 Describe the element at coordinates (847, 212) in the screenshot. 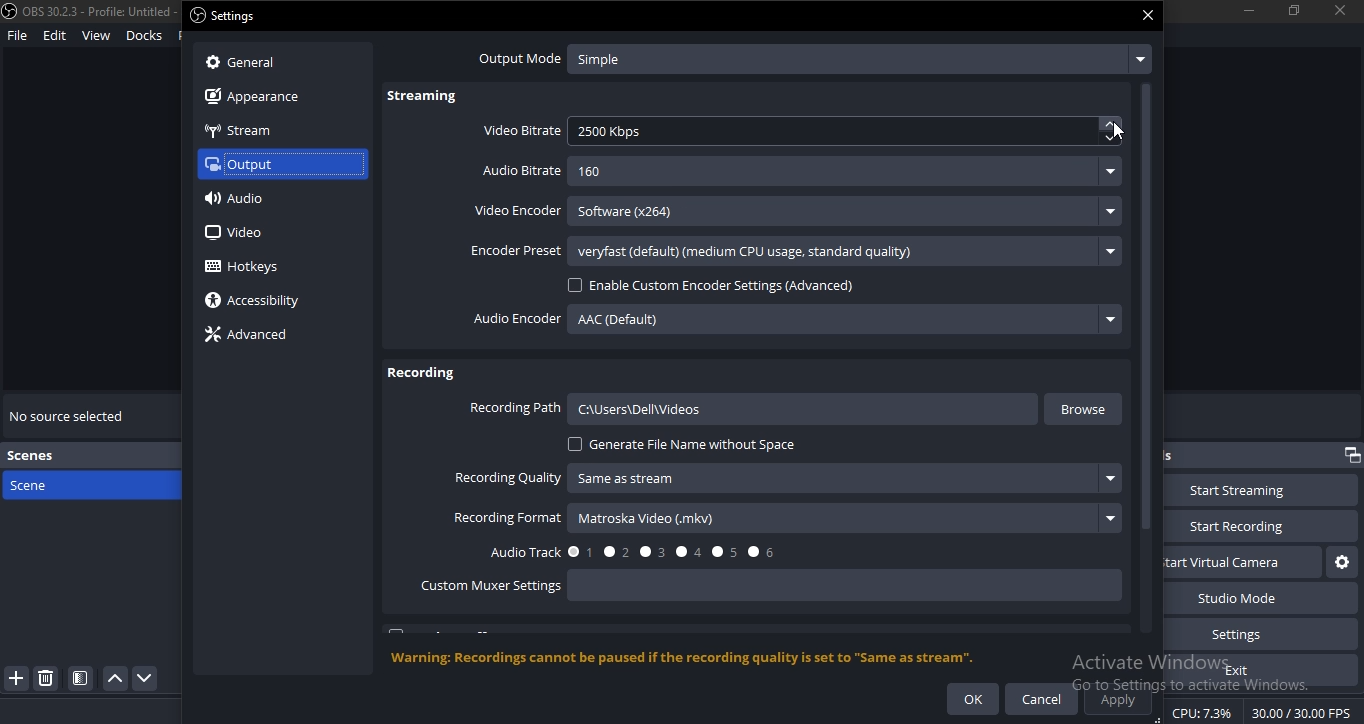

I see `Software (x264)` at that location.